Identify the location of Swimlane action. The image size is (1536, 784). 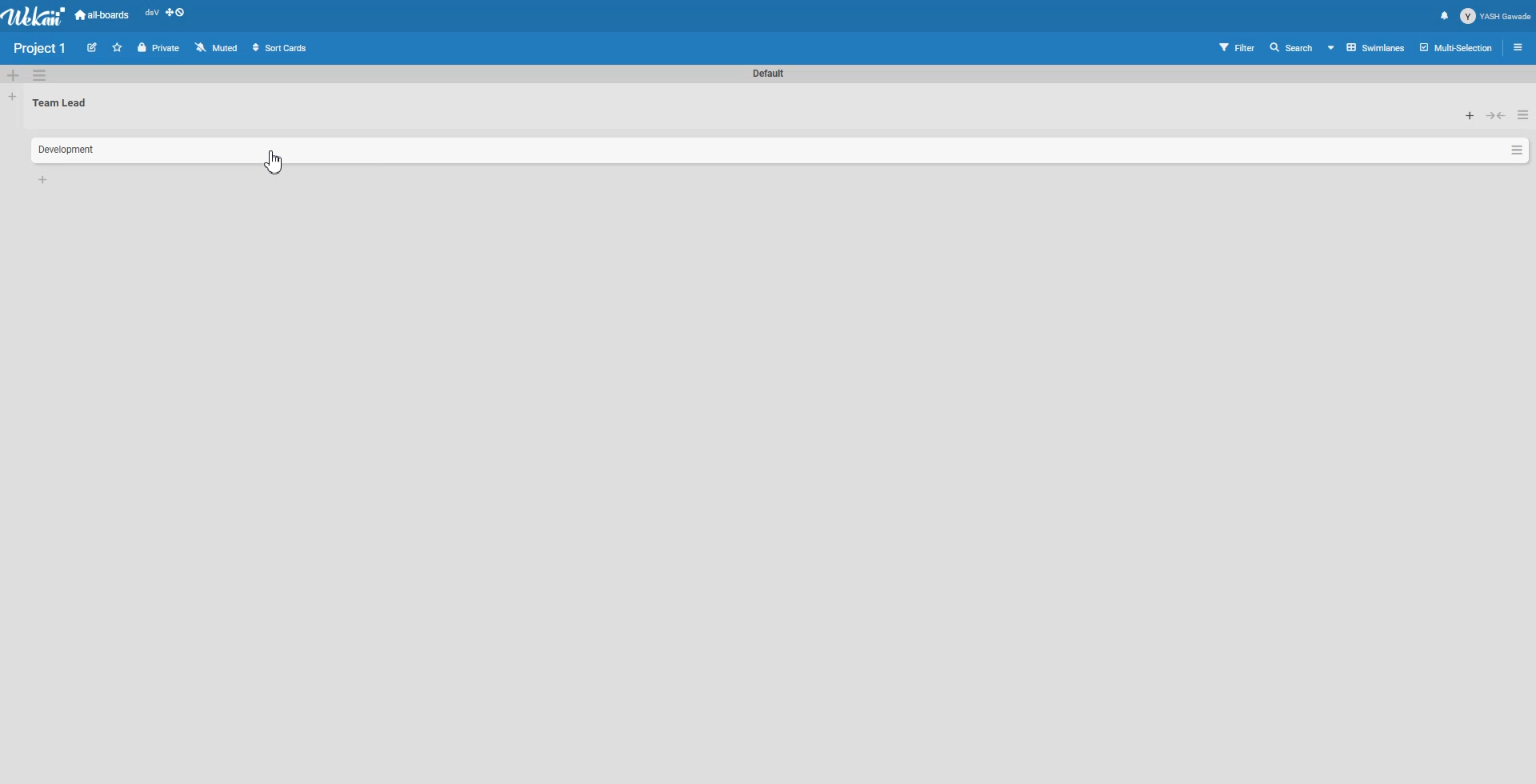
(40, 75).